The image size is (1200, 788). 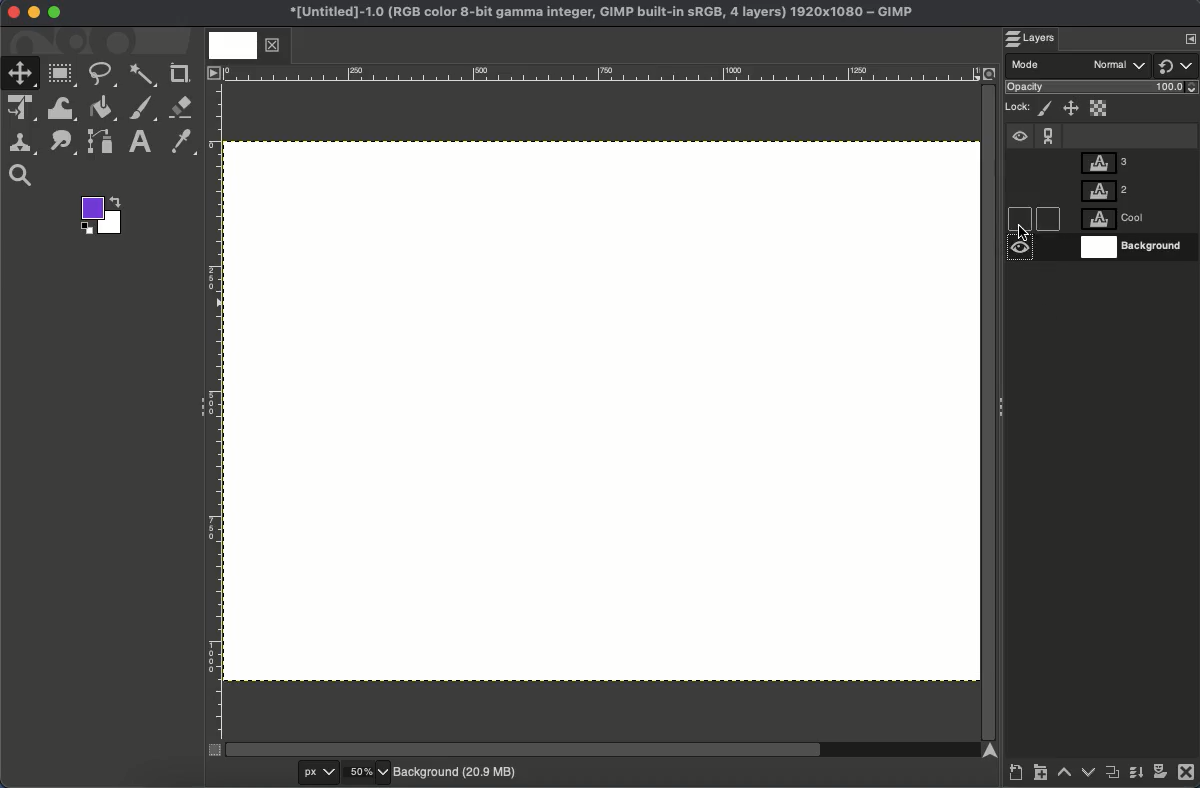 What do you see at coordinates (1104, 89) in the screenshot?
I see `Opacity` at bounding box center [1104, 89].